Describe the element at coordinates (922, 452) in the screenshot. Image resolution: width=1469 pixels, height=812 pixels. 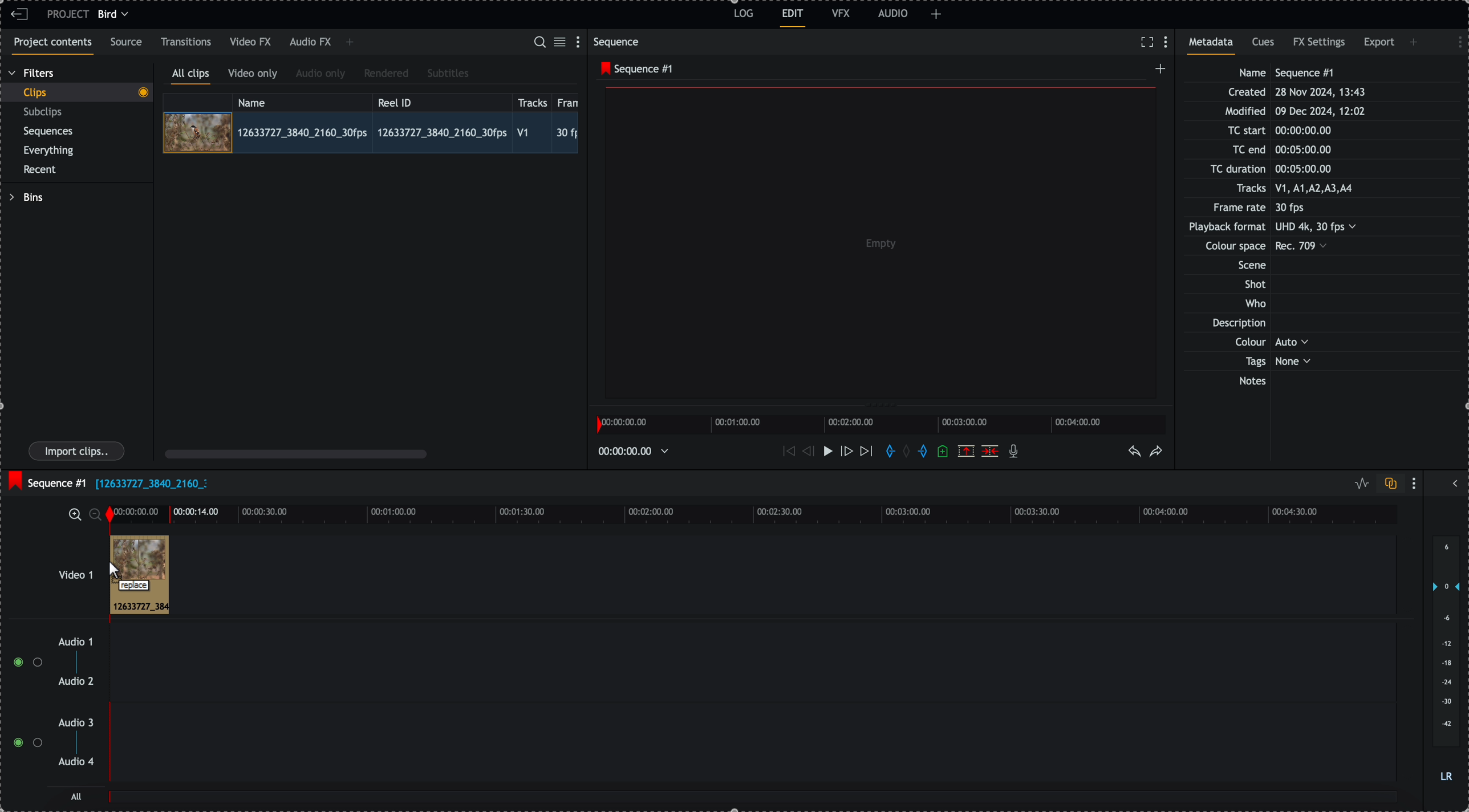
I see `add 'out' mark` at that location.